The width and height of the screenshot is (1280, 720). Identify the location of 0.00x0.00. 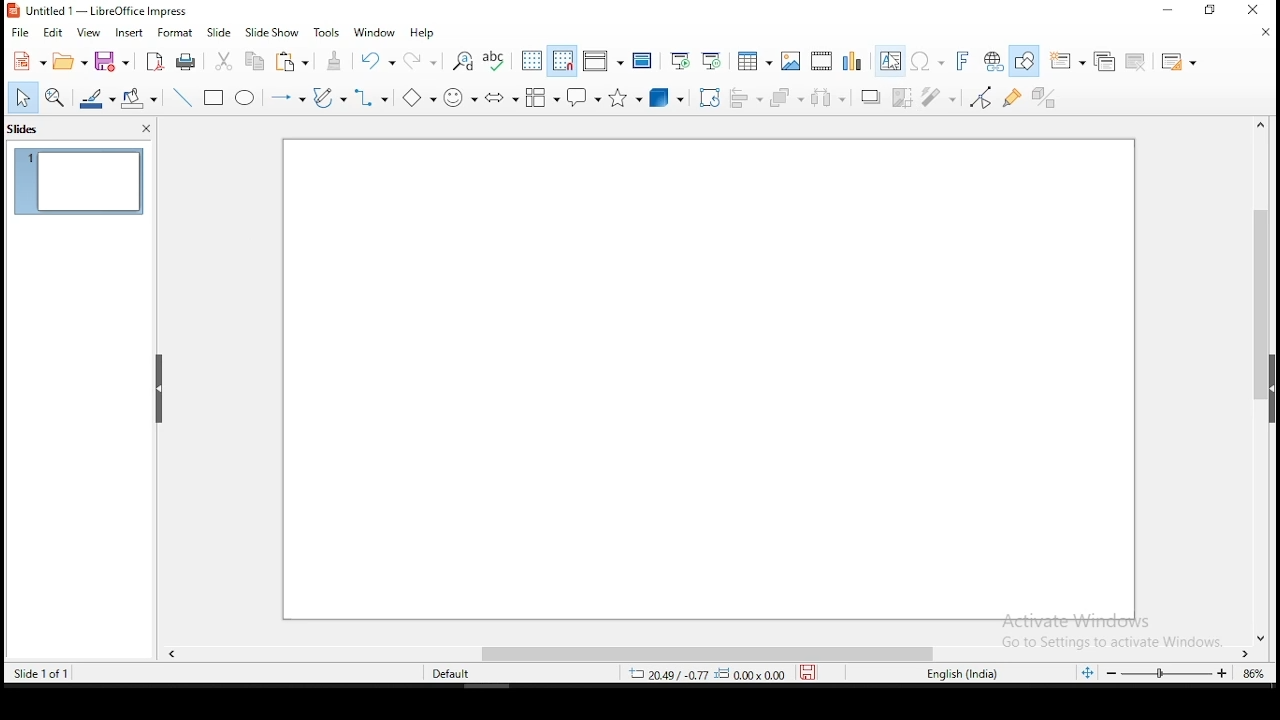
(749, 674).